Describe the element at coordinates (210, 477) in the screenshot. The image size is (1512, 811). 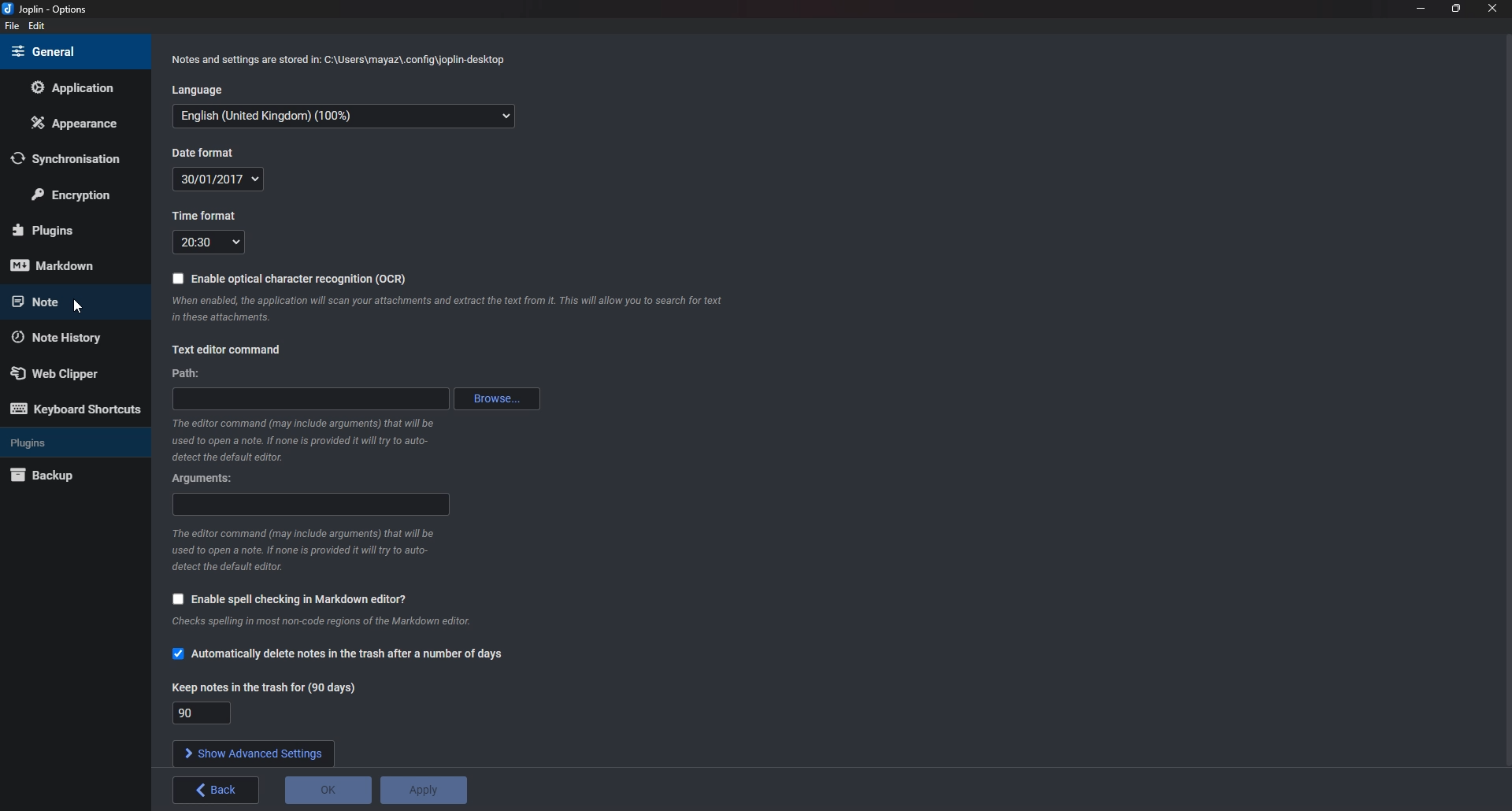
I see `Arguments` at that location.